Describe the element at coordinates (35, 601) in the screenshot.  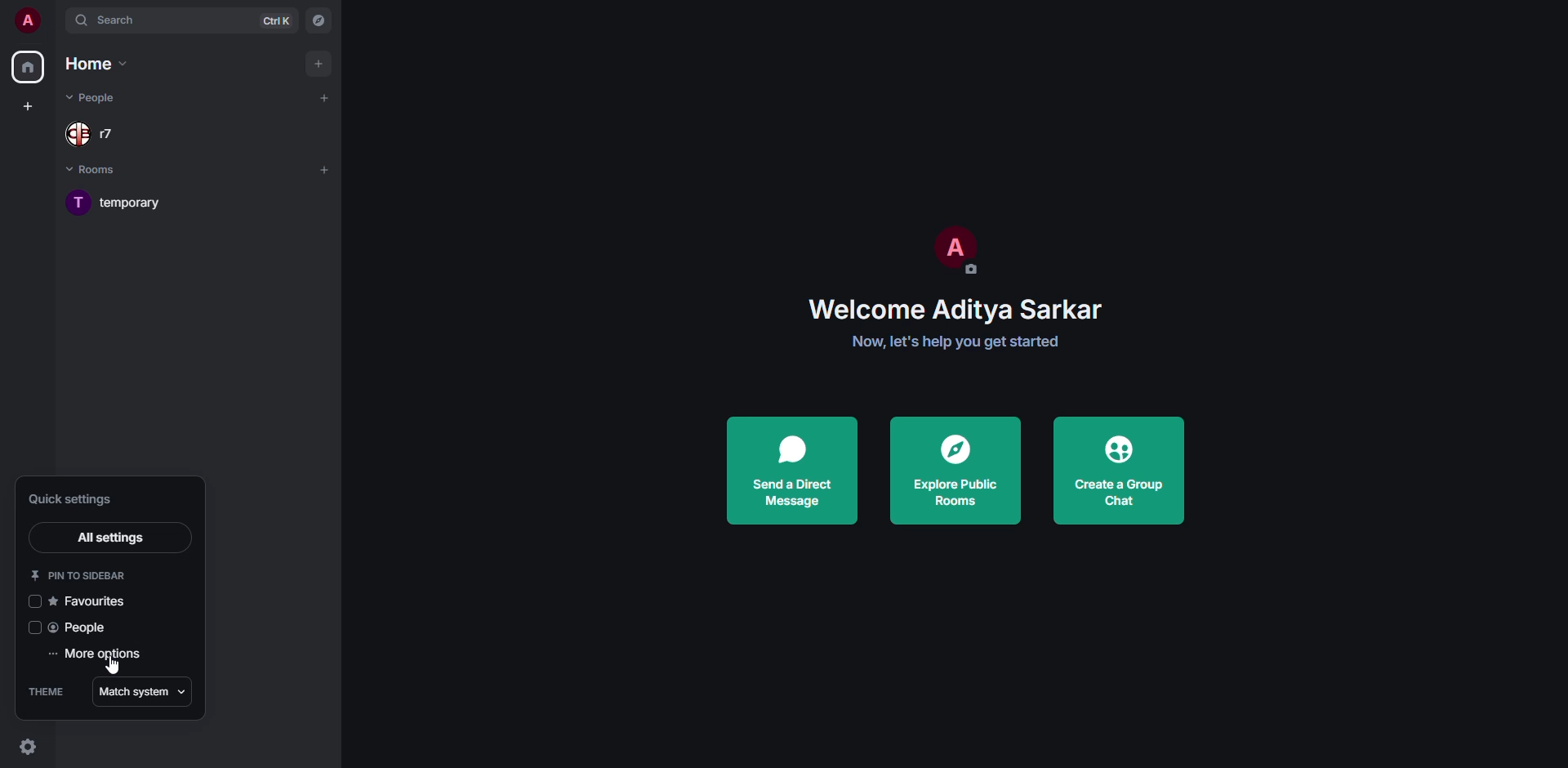
I see `click to enable` at that location.